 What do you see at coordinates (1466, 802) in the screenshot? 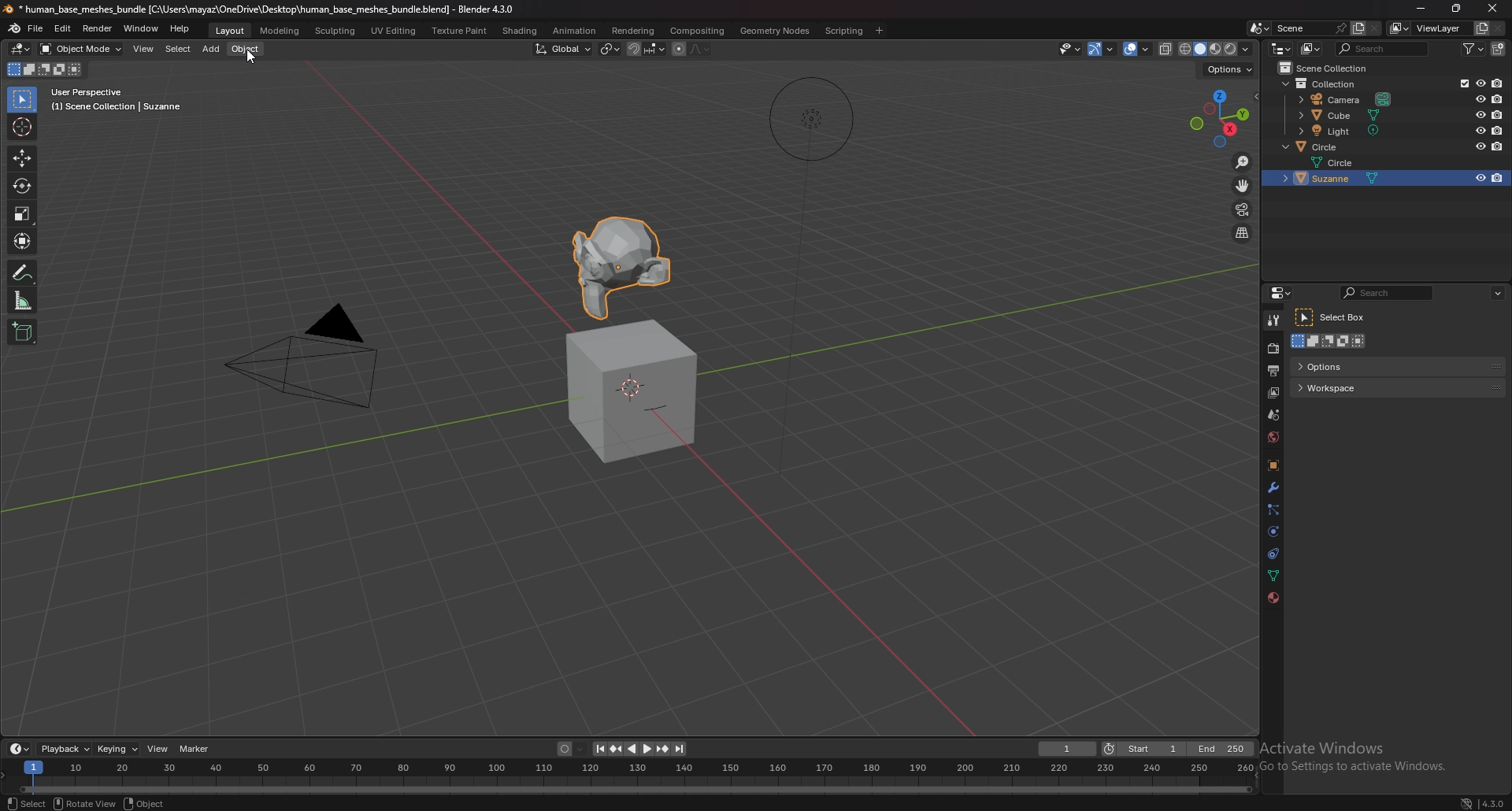
I see `network` at bounding box center [1466, 802].